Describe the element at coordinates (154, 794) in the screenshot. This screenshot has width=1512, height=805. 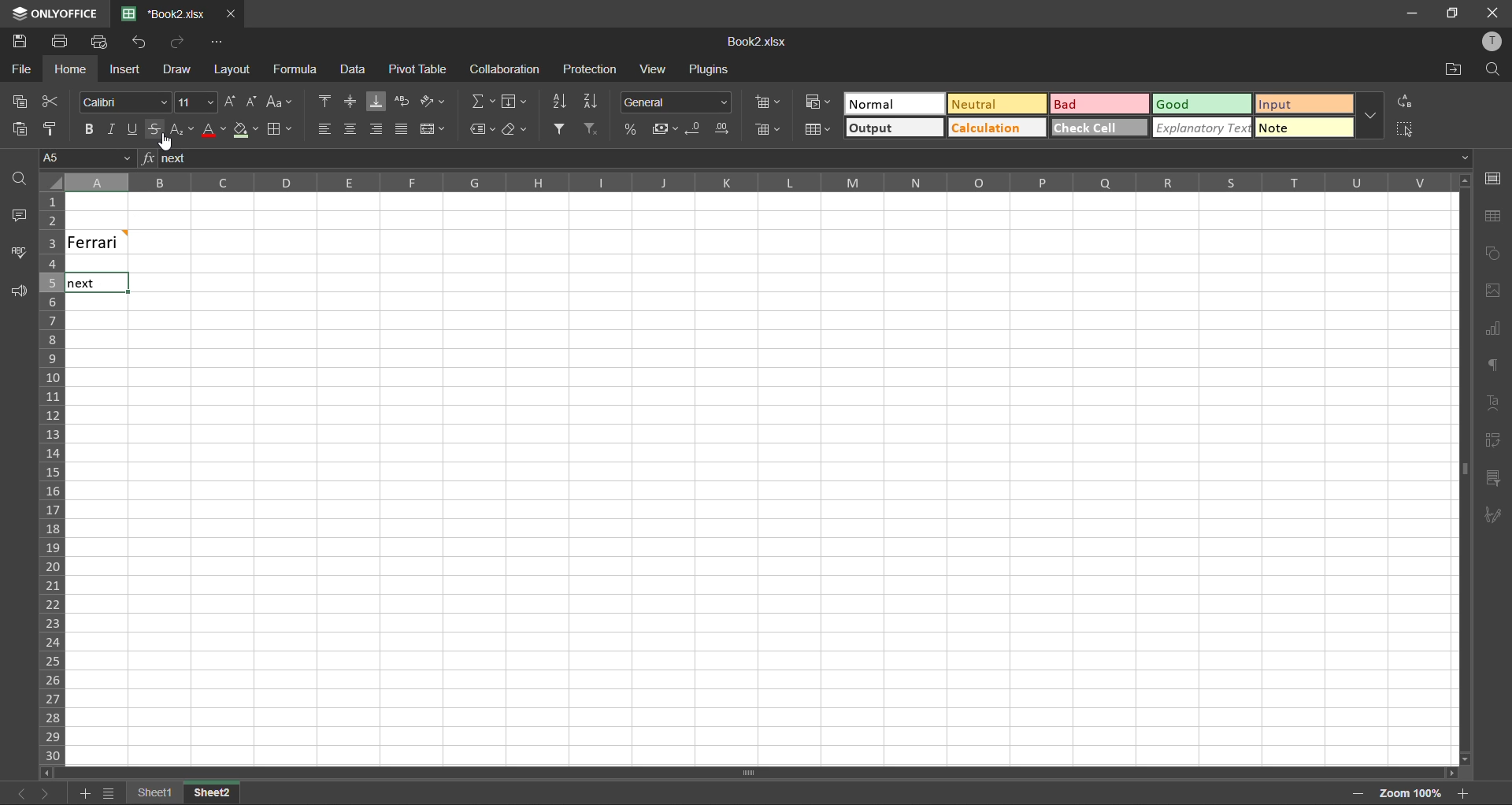
I see `sheet names` at that location.